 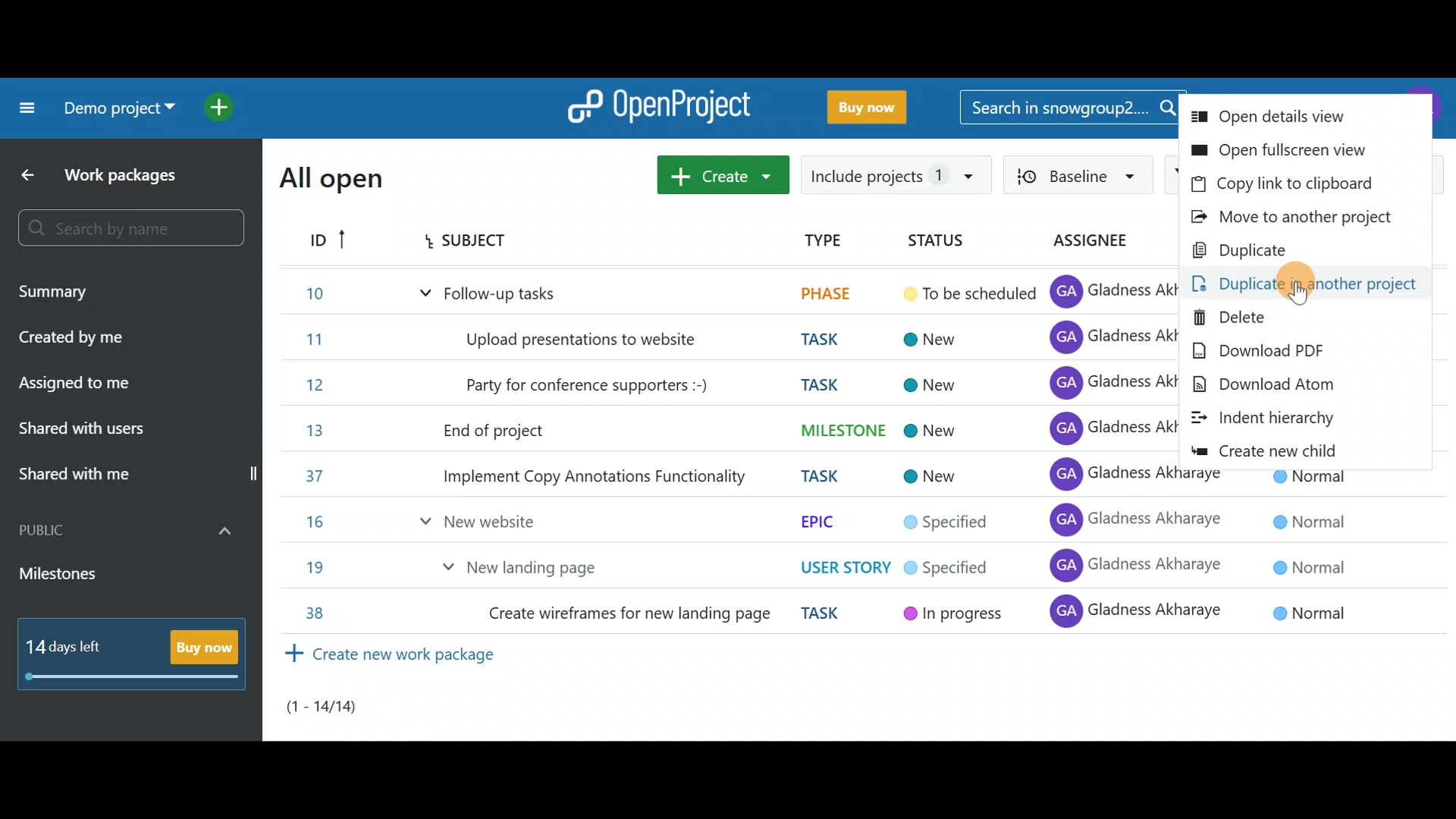 I want to click on Page number, so click(x=337, y=714).